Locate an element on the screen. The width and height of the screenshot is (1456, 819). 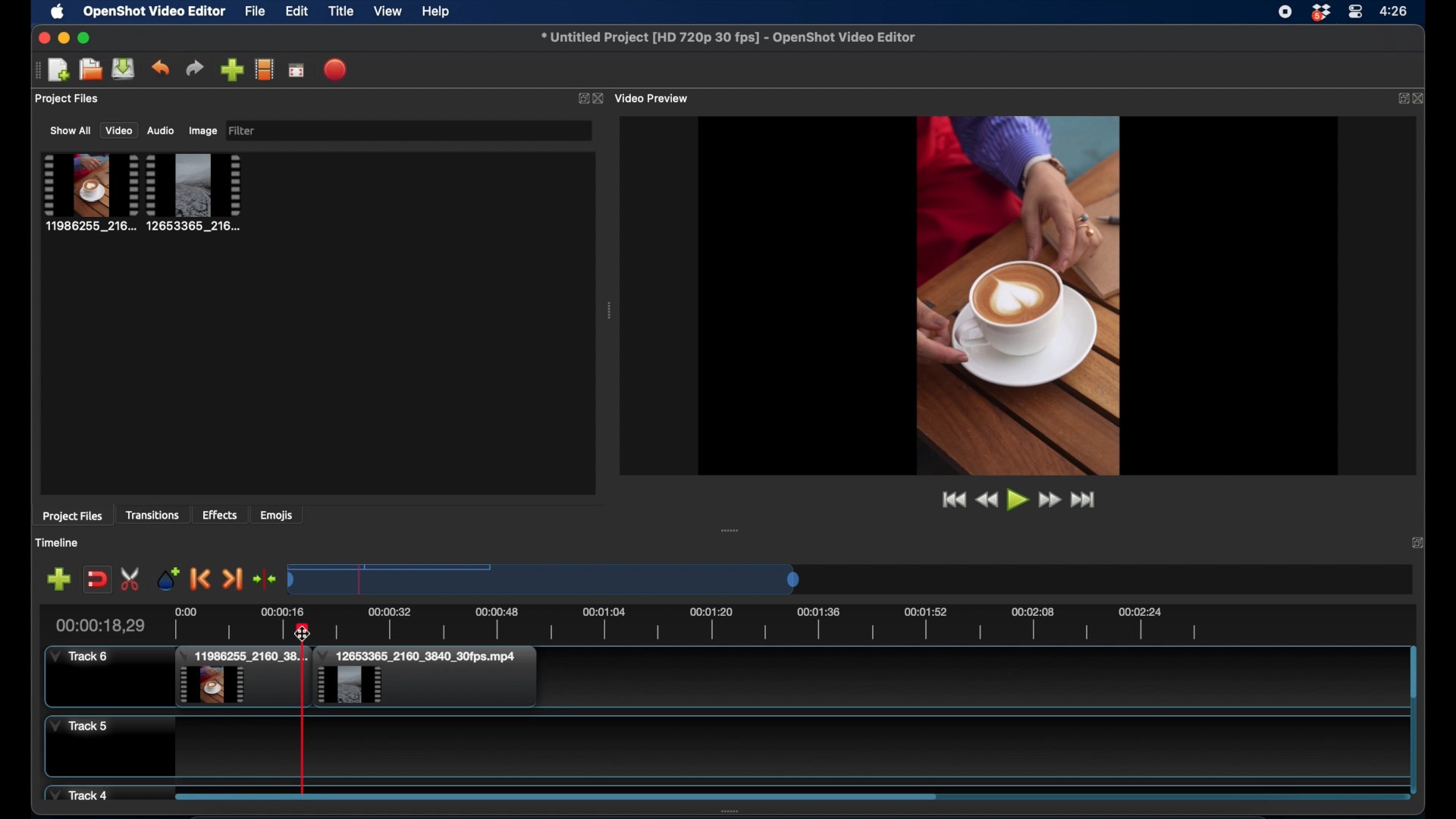
drag handle is located at coordinates (610, 311).